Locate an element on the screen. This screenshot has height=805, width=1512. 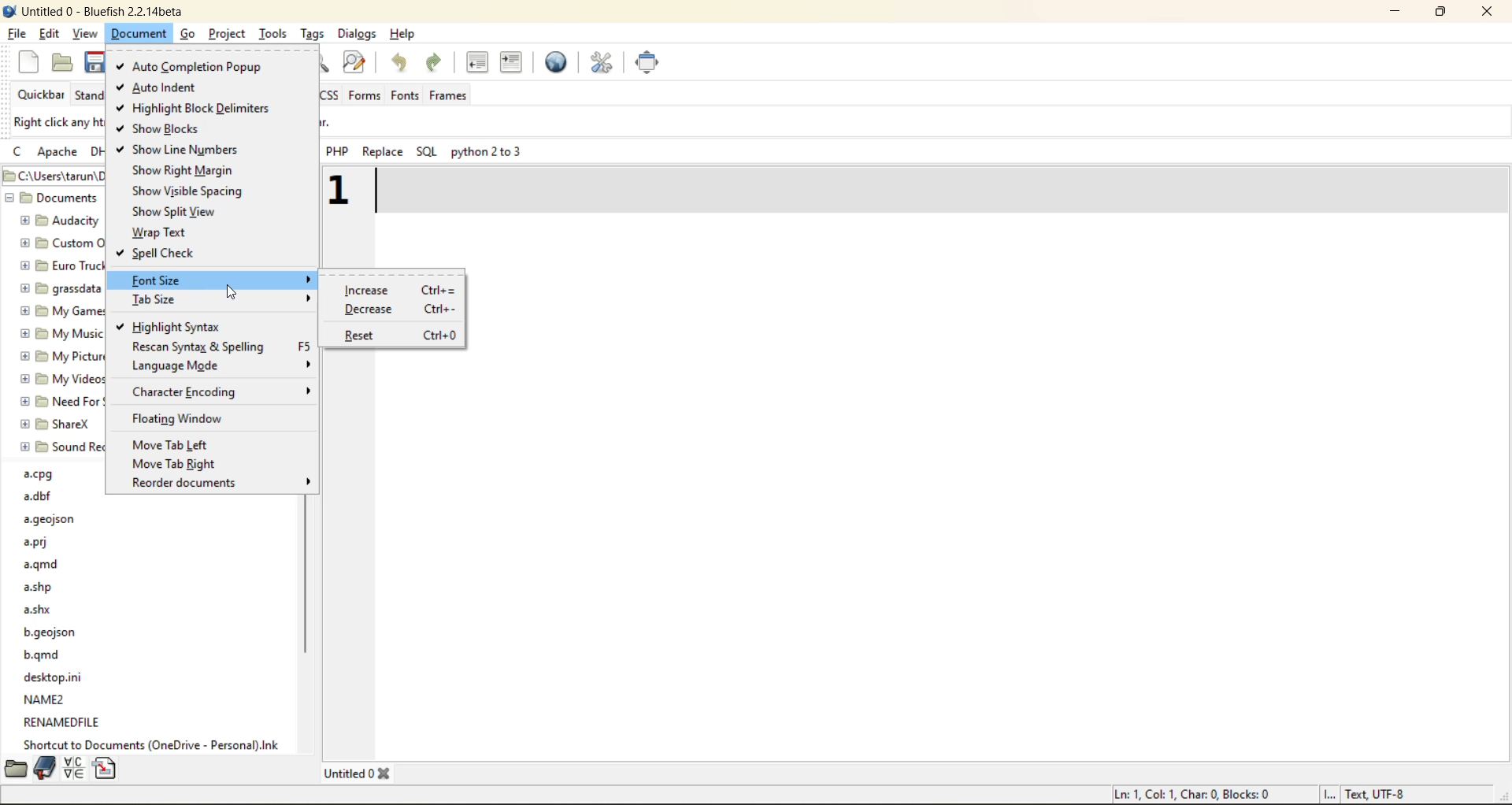
a.geojson is located at coordinates (51, 521).